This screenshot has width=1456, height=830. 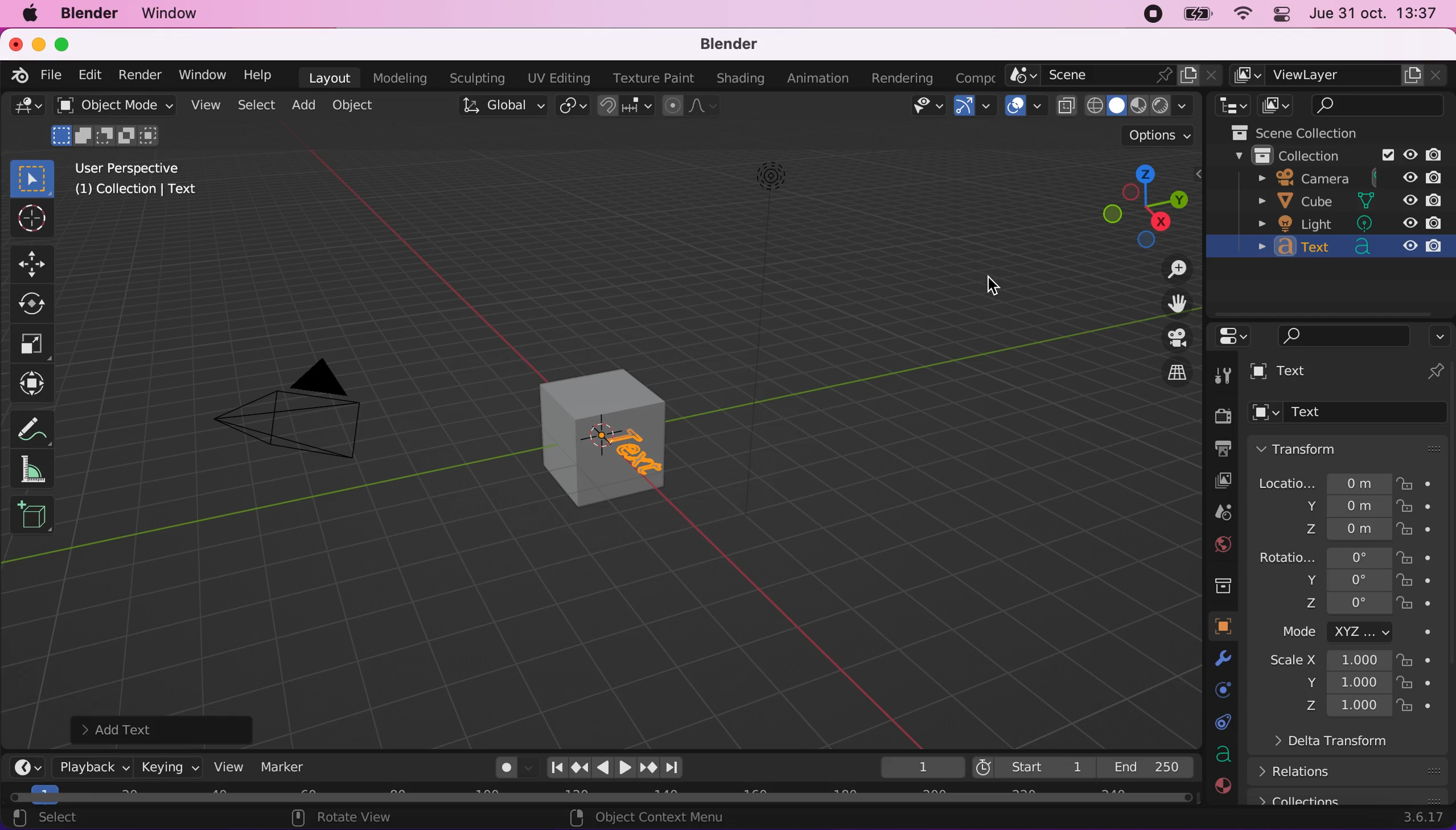 I want to click on transform, so click(x=1348, y=446).